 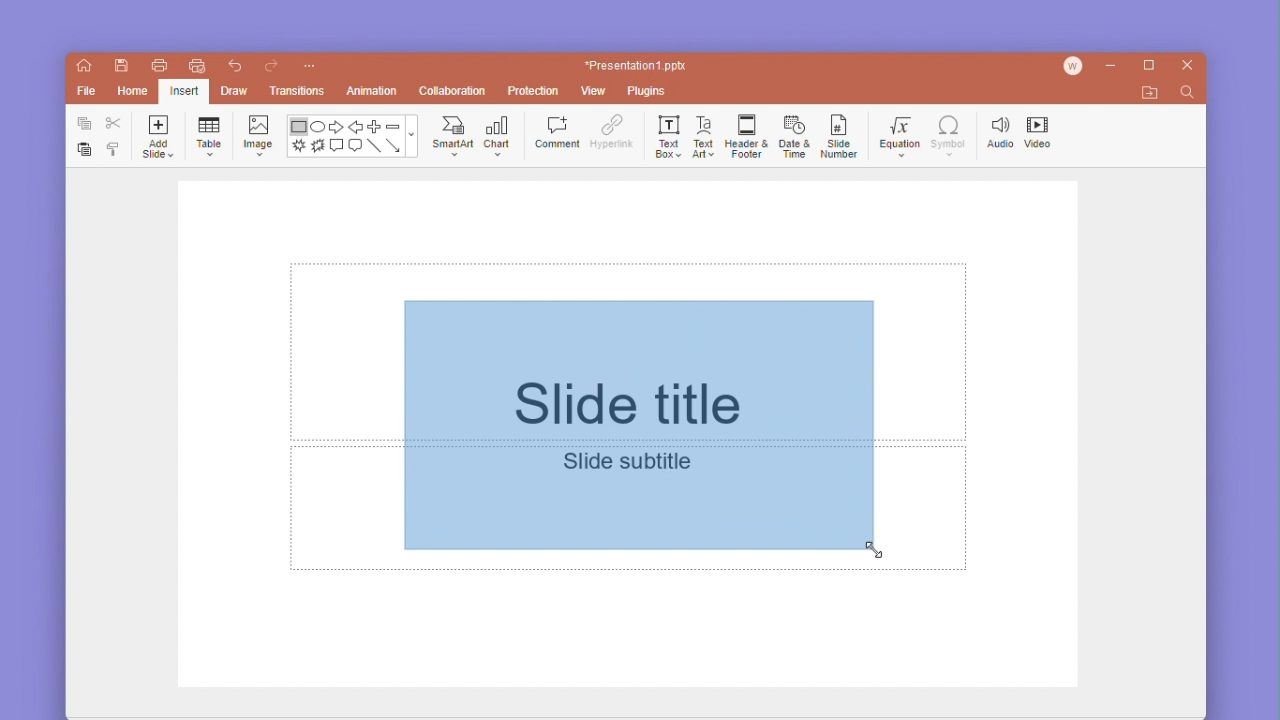 What do you see at coordinates (79, 151) in the screenshot?
I see `paste` at bounding box center [79, 151].